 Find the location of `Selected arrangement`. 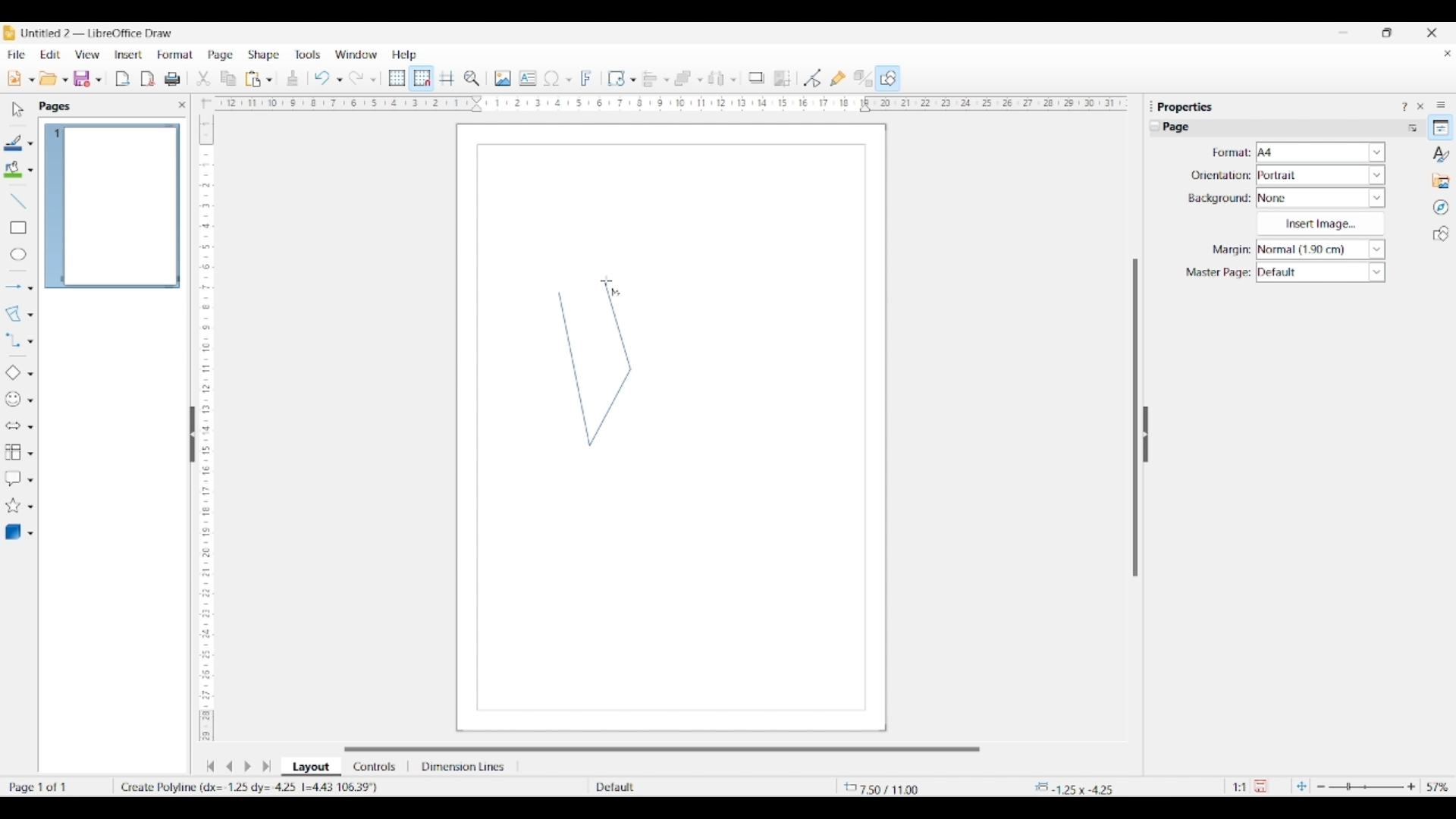

Selected arrangement is located at coordinates (683, 79).